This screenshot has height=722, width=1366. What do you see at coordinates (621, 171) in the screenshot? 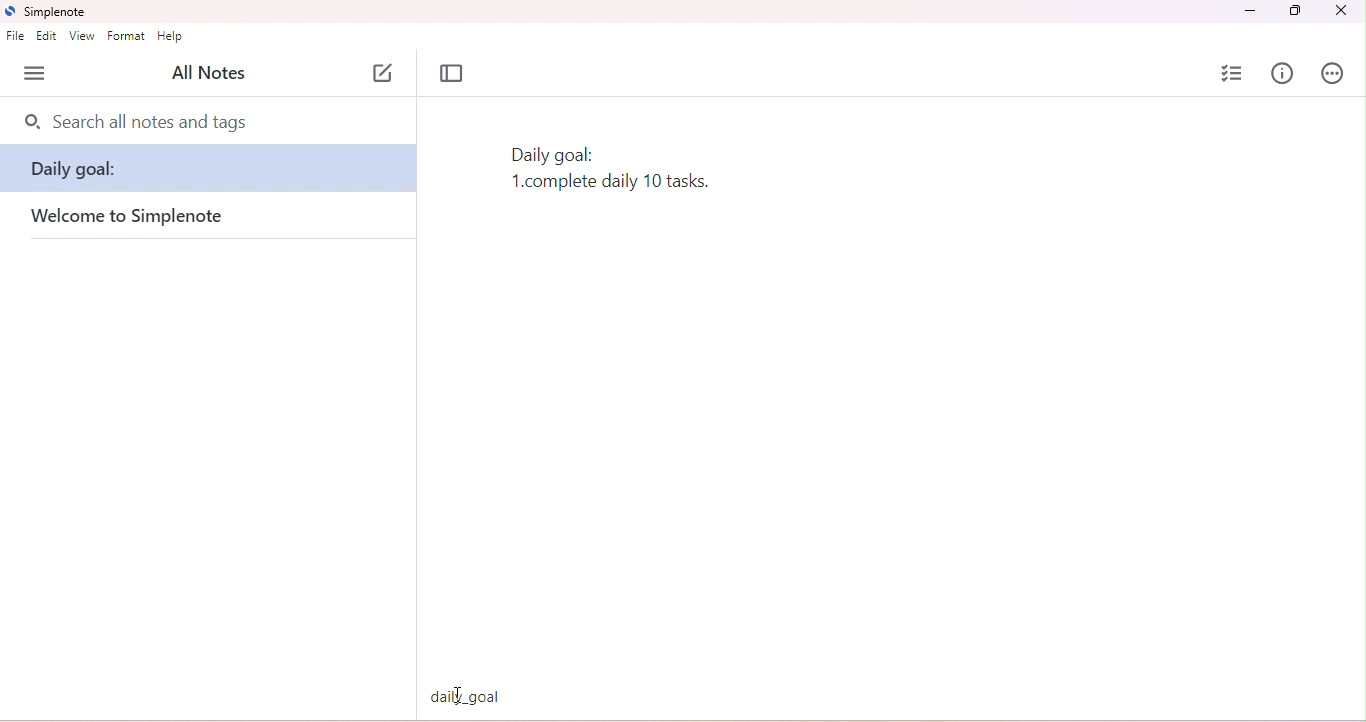
I see `text typed` at bounding box center [621, 171].